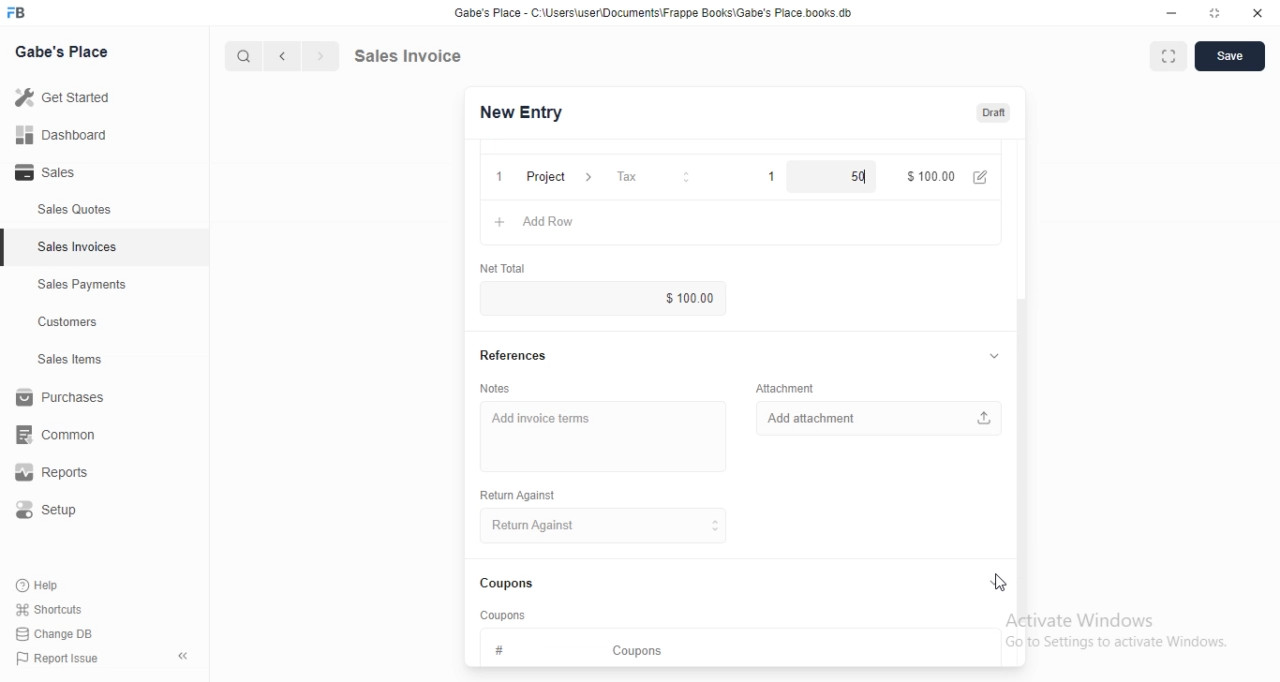  I want to click on collapse, so click(993, 355).